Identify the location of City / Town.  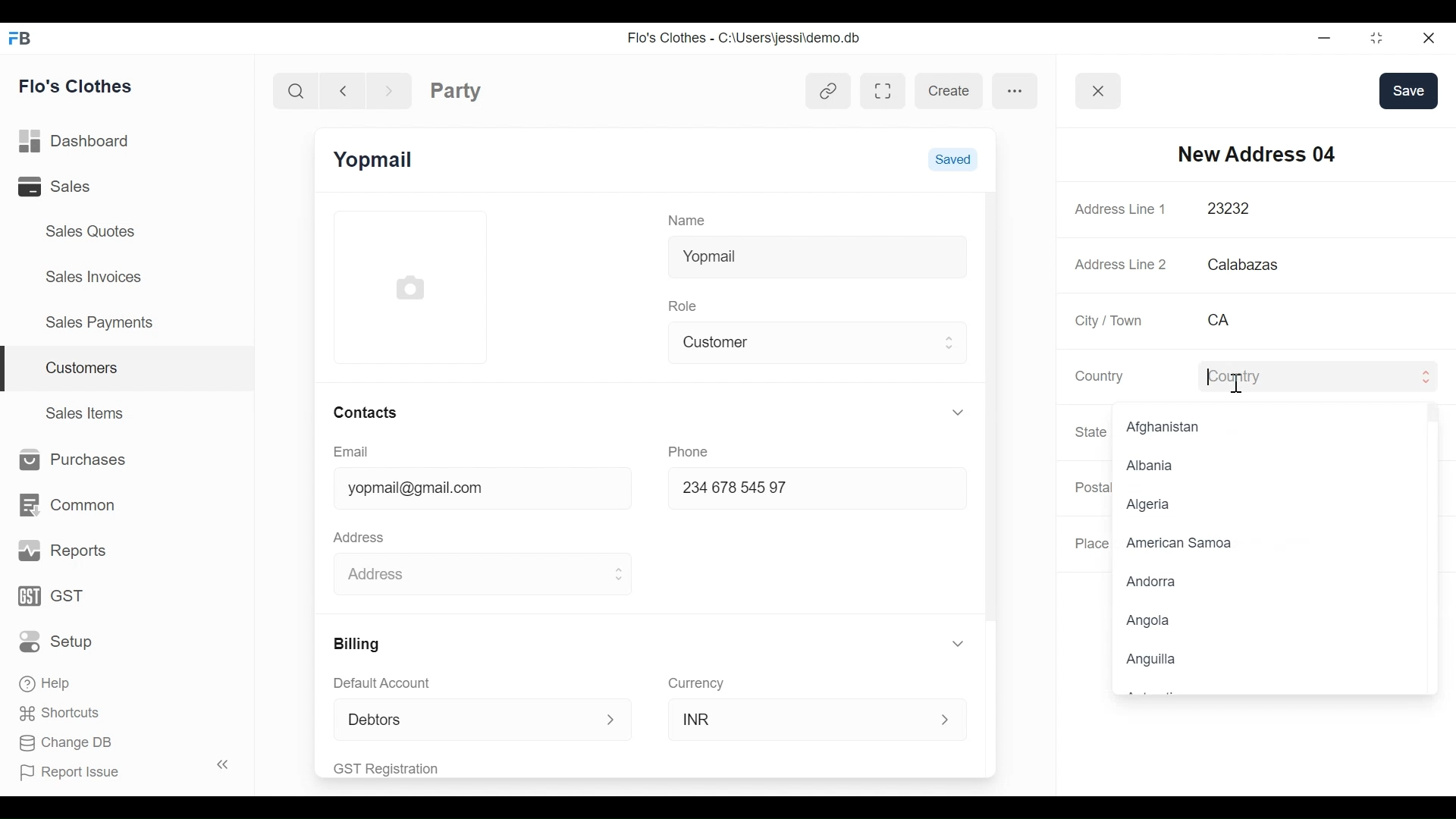
(1110, 321).